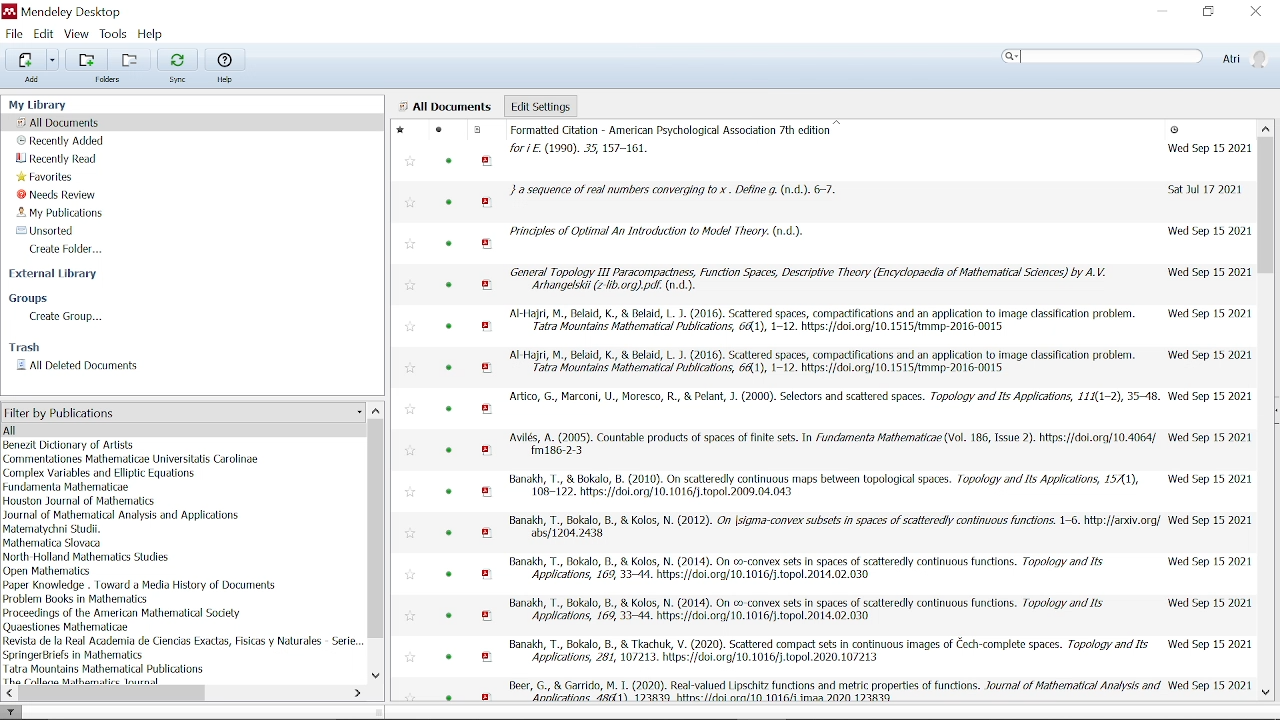  I want to click on status, so click(450, 286).